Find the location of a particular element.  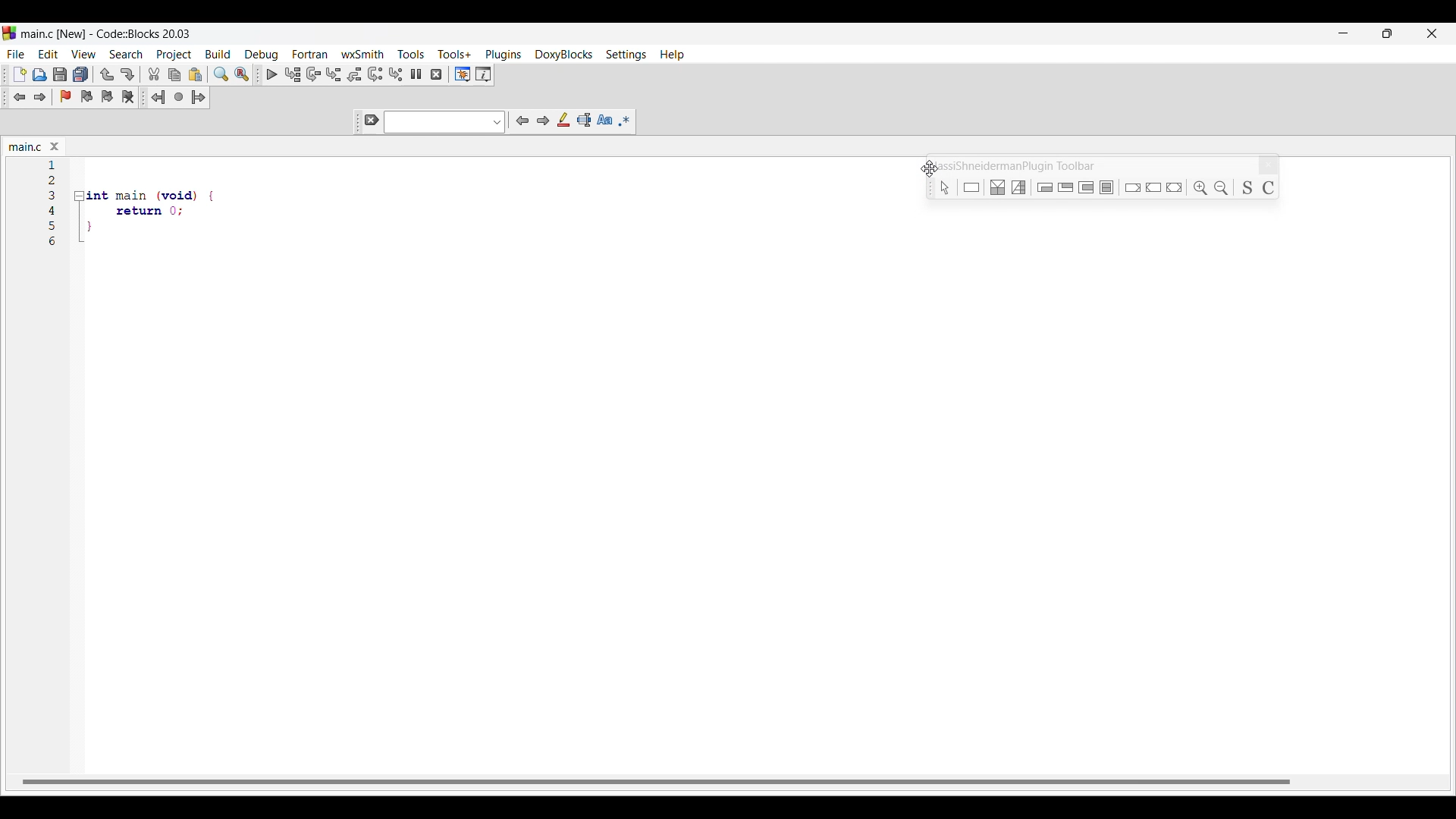

Jump back  is located at coordinates (158, 97).